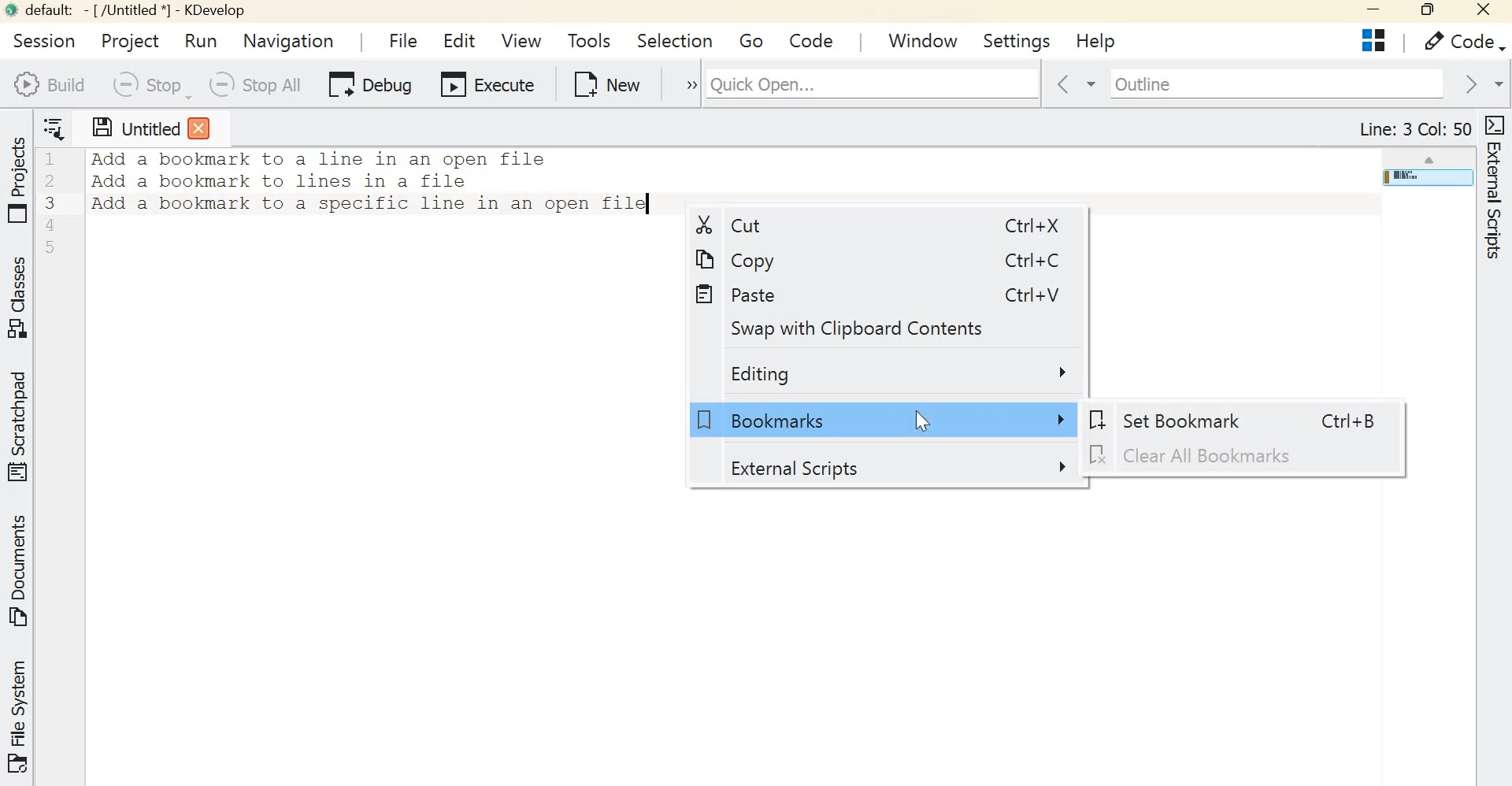 This screenshot has height=786, width=1512. I want to click on scroll up arrow, so click(1431, 158).